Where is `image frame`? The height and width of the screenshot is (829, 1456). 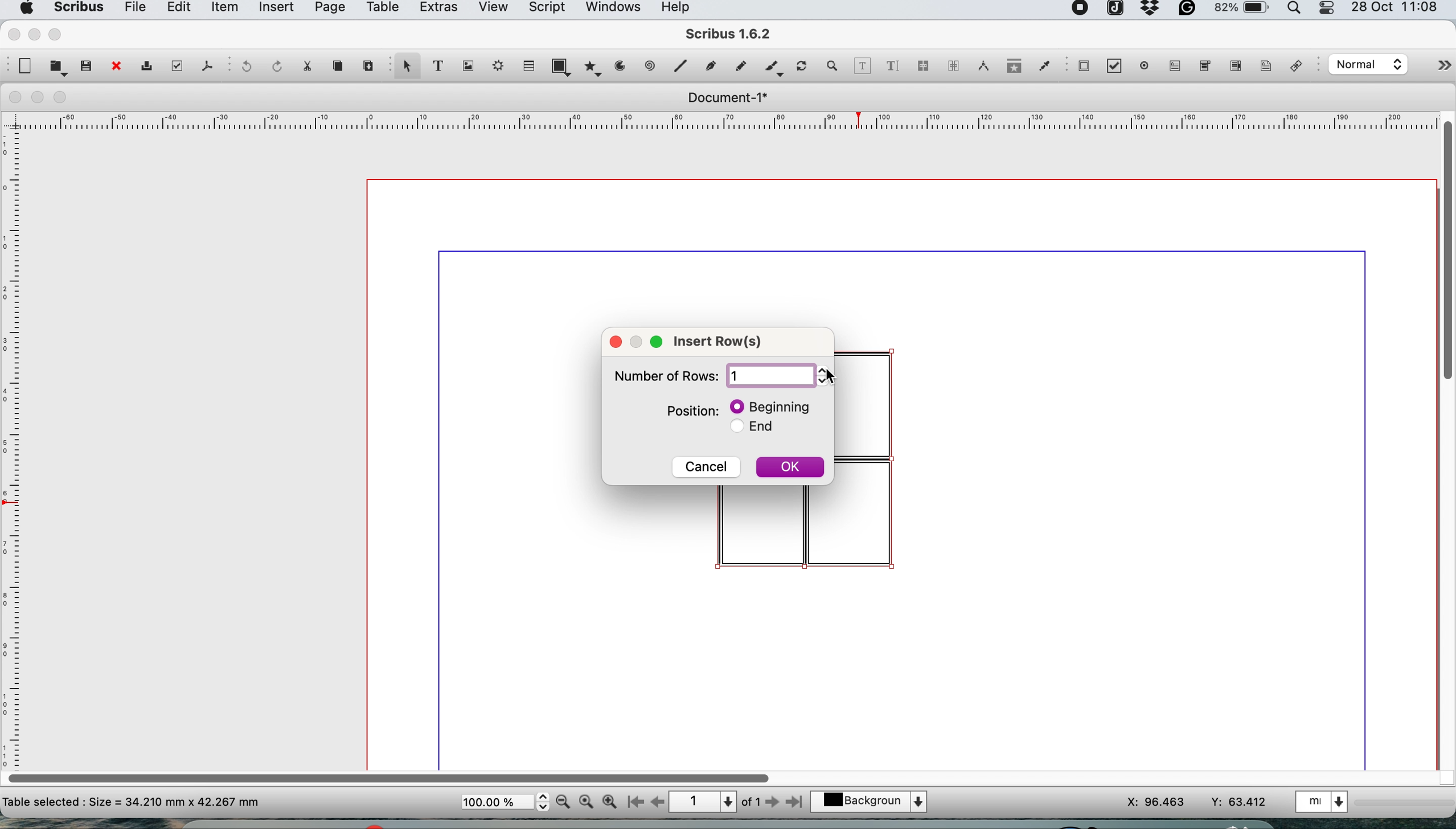
image frame is located at coordinates (466, 66).